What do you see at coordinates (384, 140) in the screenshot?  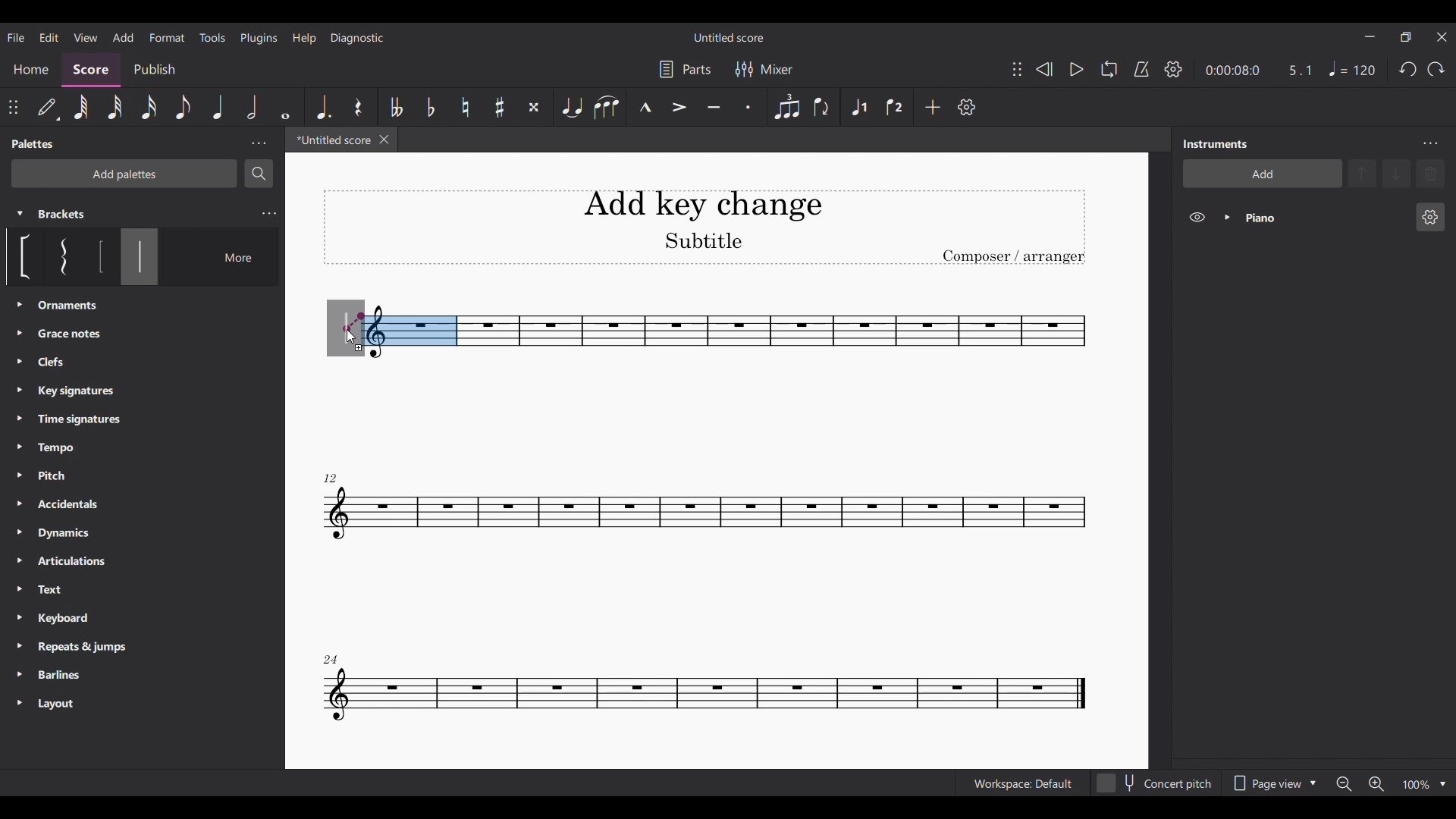 I see `Close tab` at bounding box center [384, 140].